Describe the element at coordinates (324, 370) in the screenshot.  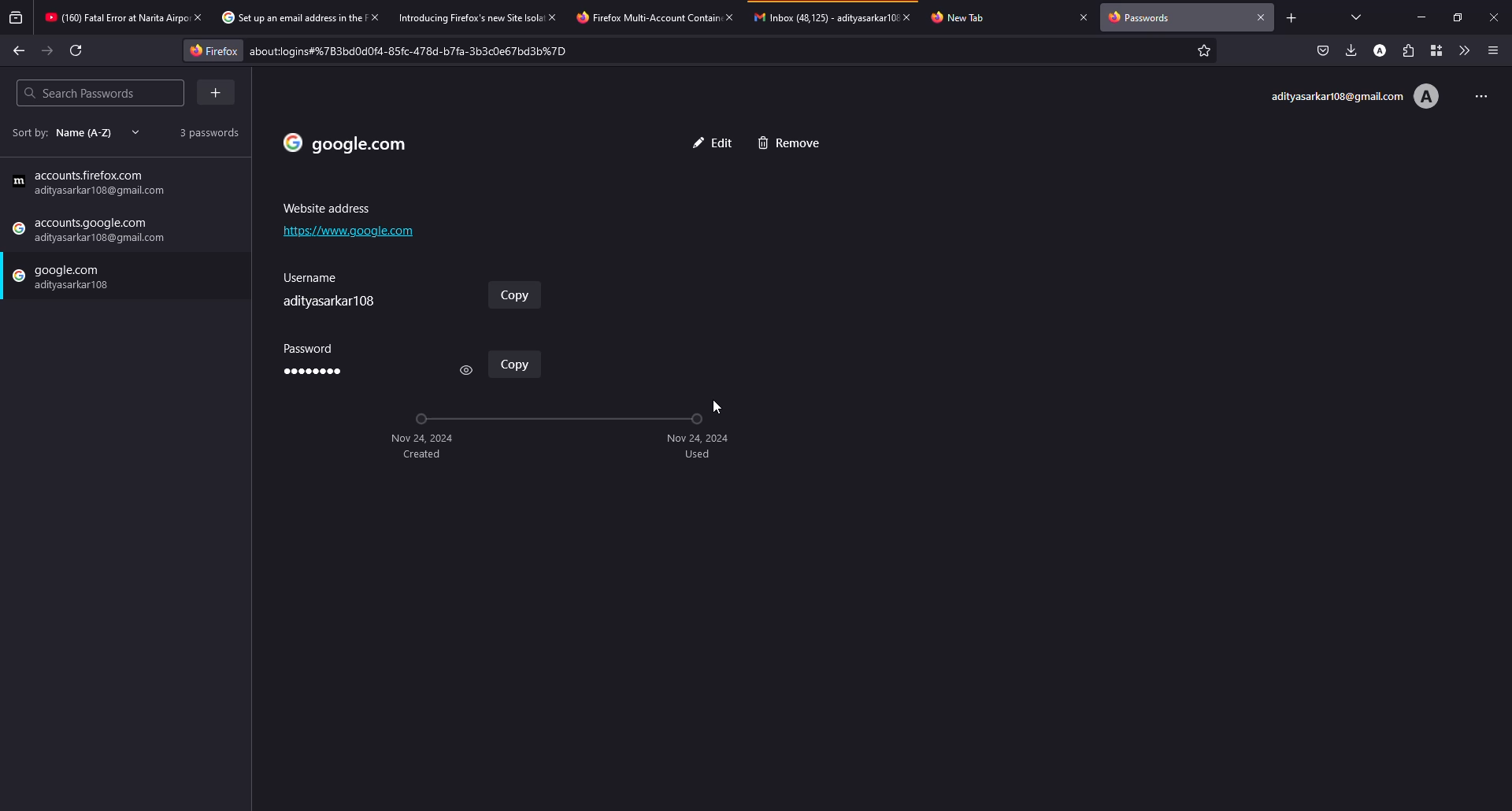
I see `password` at that location.